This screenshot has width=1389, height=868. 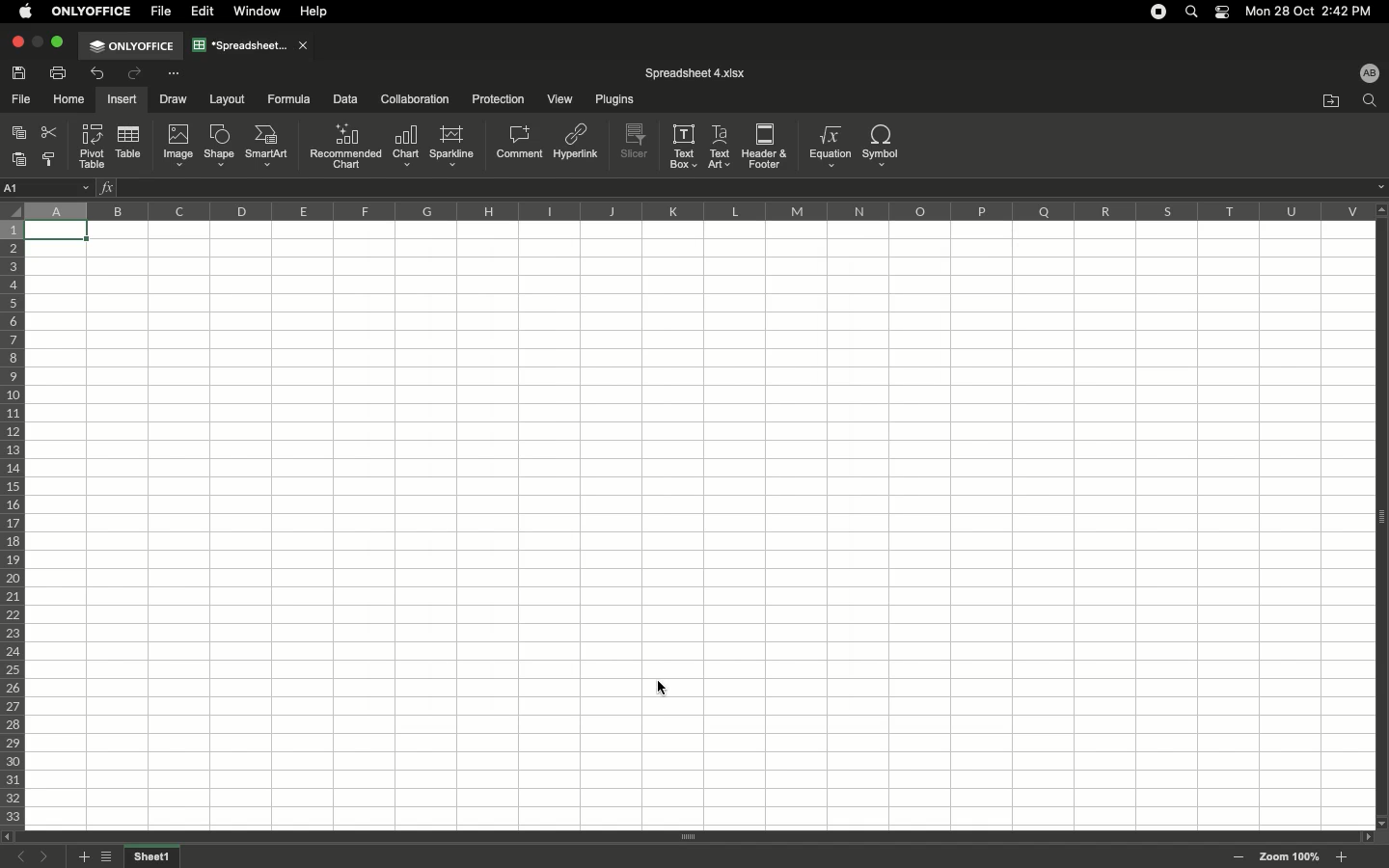 I want to click on Cell input, so click(x=743, y=188).